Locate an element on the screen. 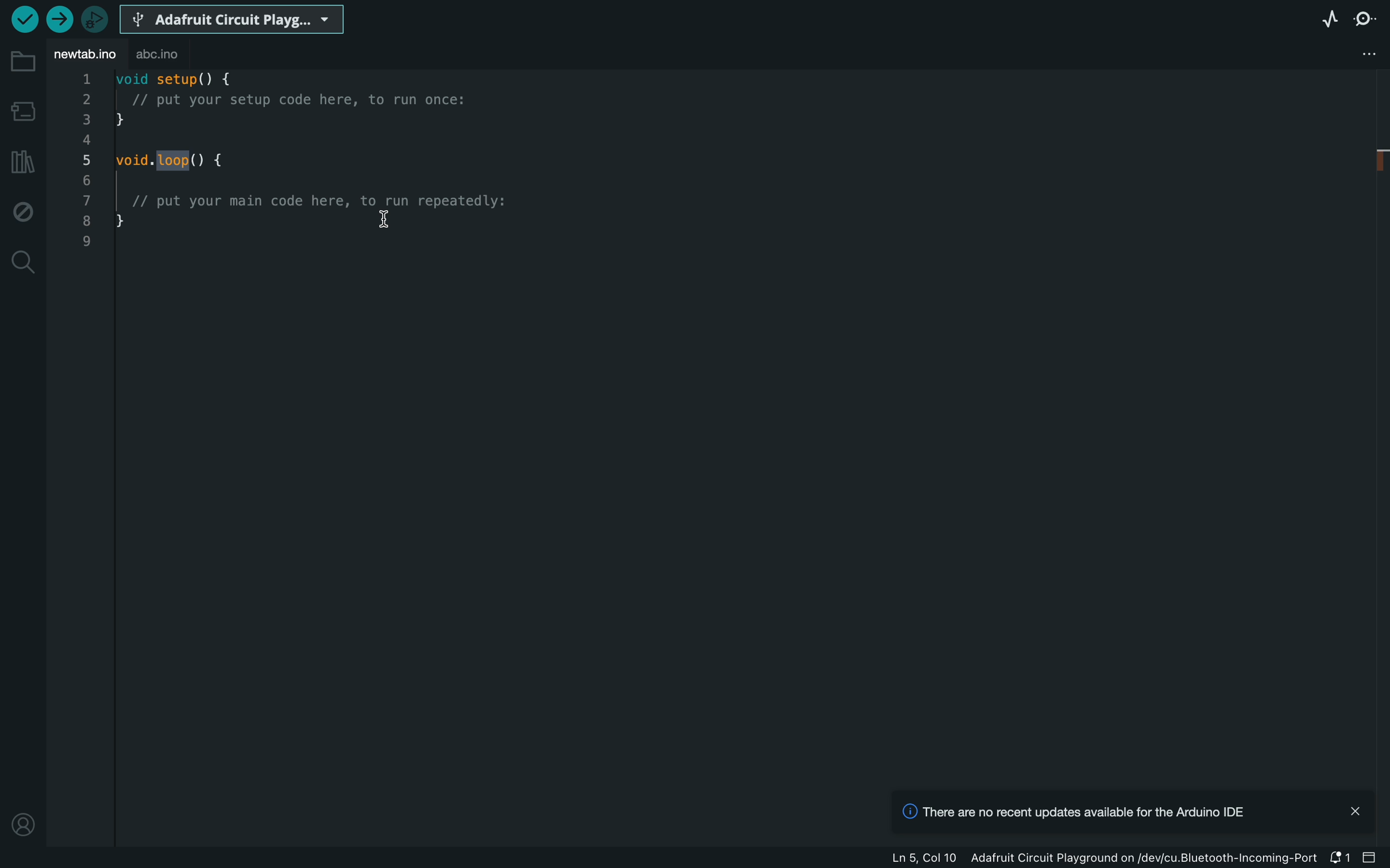  abc.ino is located at coordinates (157, 55).